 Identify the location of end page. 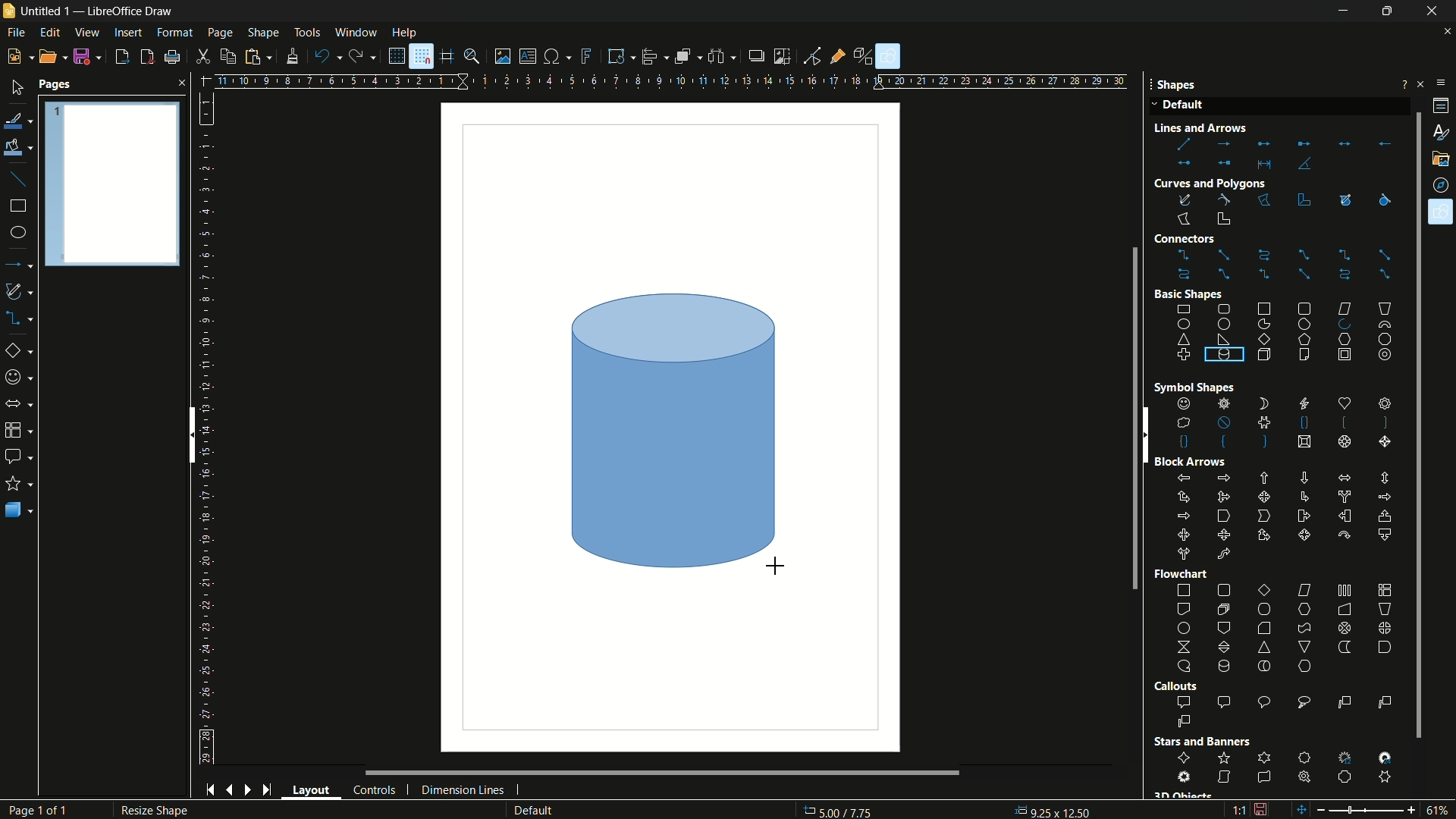
(266, 791).